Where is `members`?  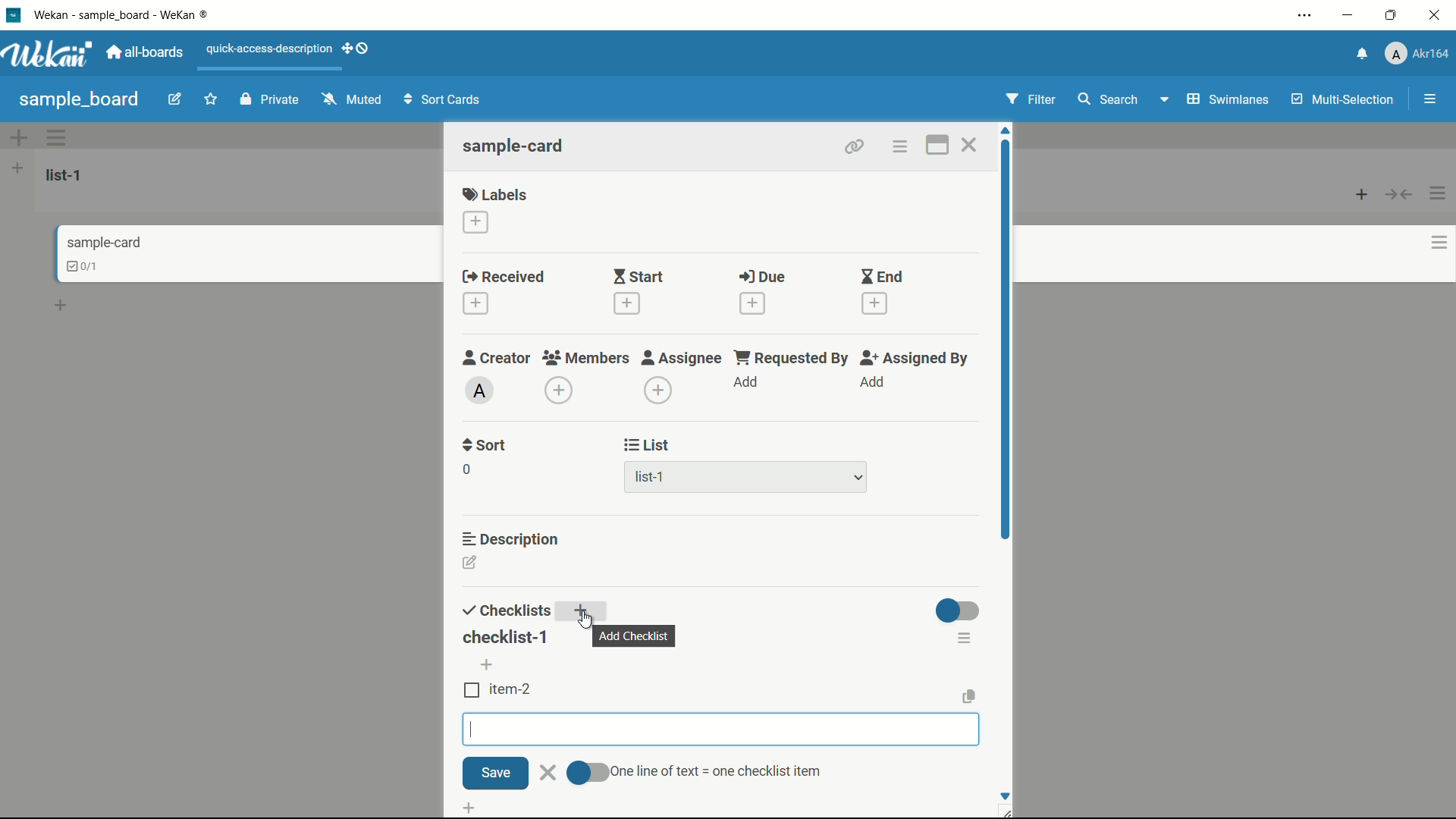
members is located at coordinates (585, 359).